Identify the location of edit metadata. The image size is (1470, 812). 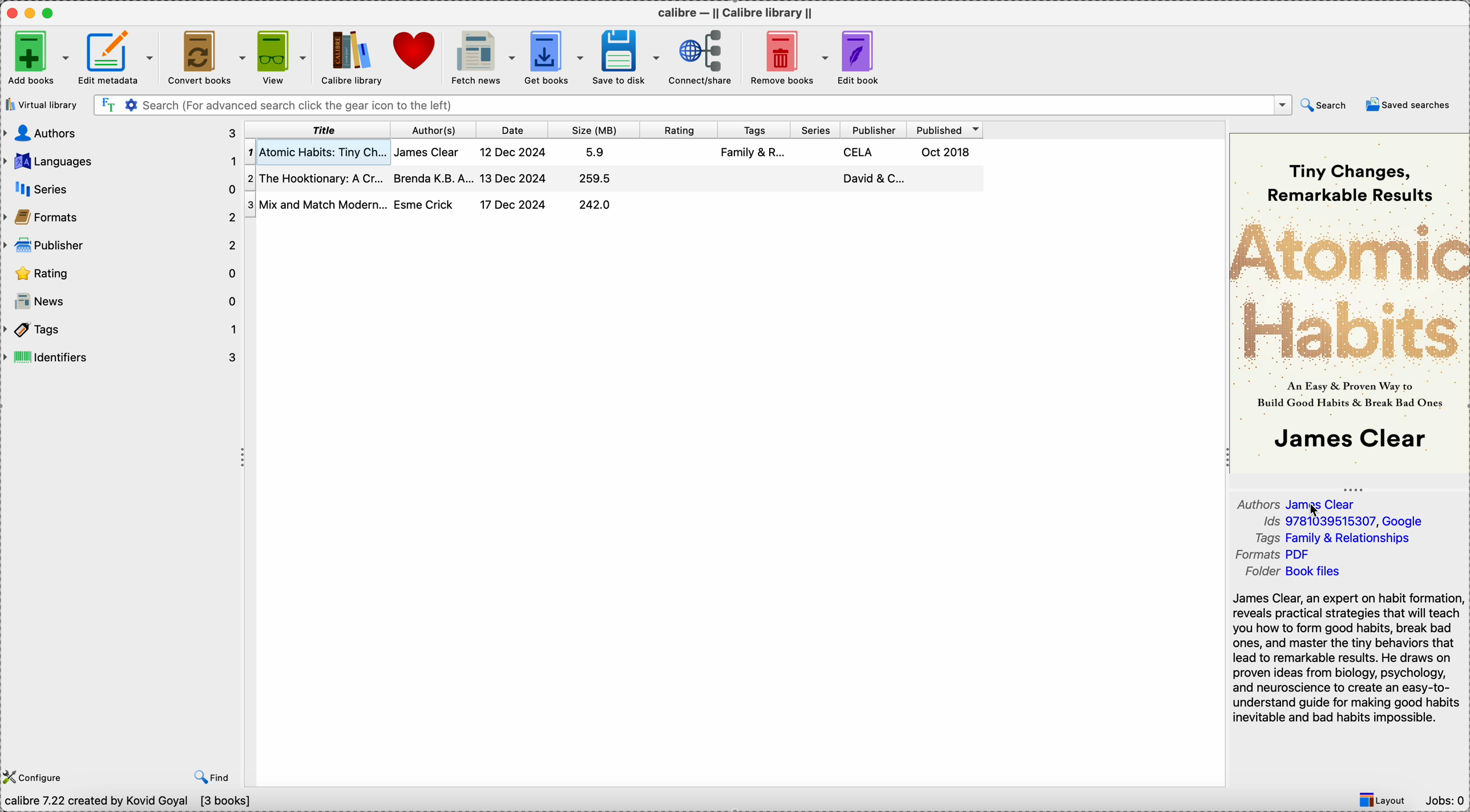
(119, 58).